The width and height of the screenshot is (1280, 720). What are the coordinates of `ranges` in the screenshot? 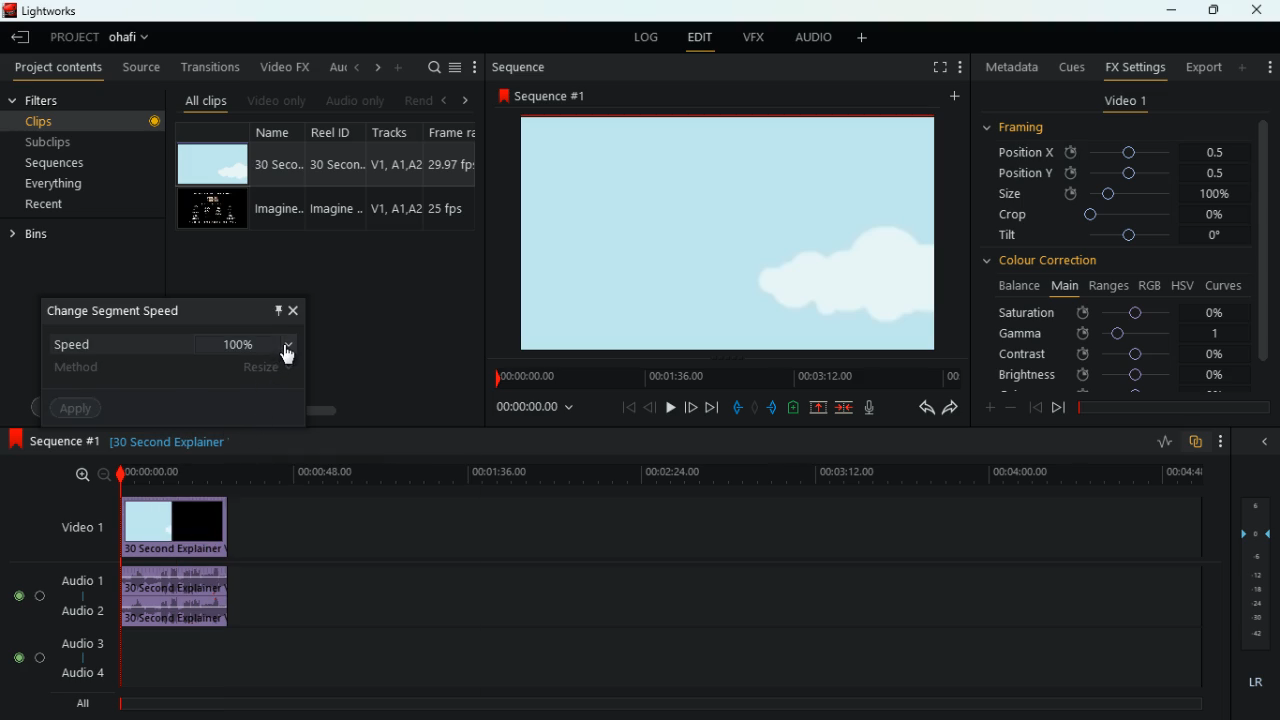 It's located at (1106, 286).